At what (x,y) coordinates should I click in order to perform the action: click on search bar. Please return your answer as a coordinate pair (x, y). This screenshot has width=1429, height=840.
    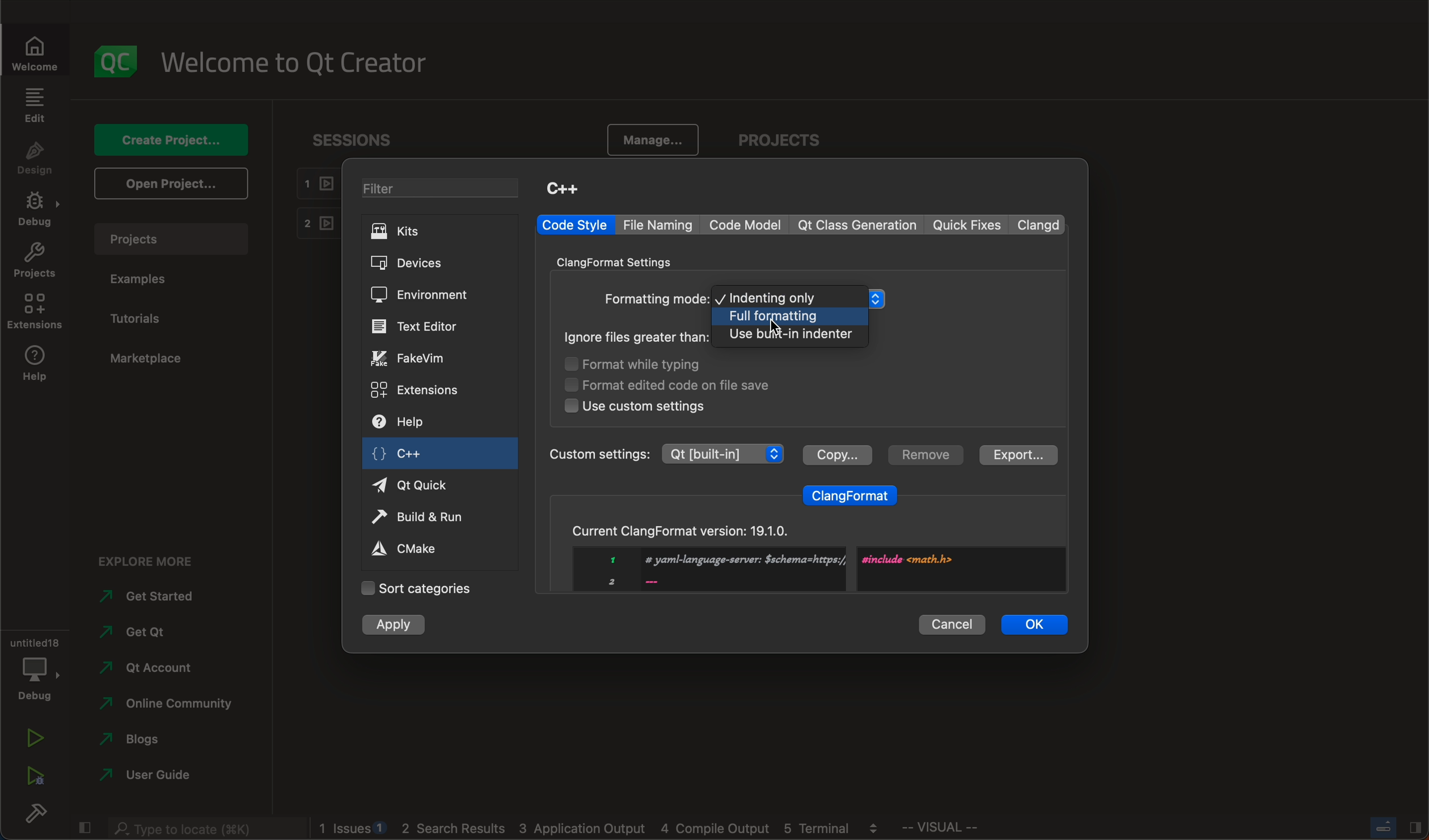
    Looking at the image, I should click on (204, 826).